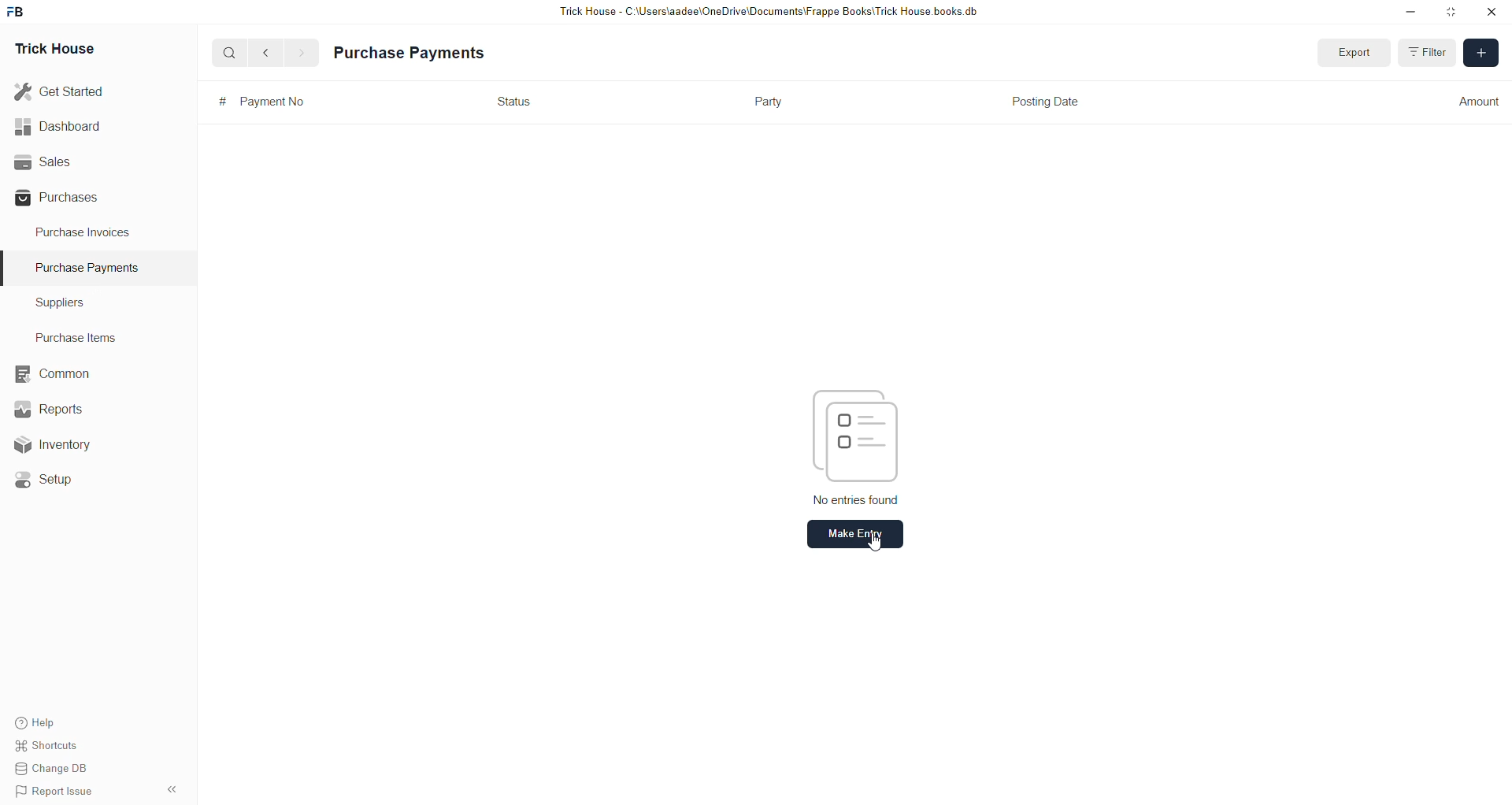  Describe the element at coordinates (517, 100) in the screenshot. I see `Status` at that location.